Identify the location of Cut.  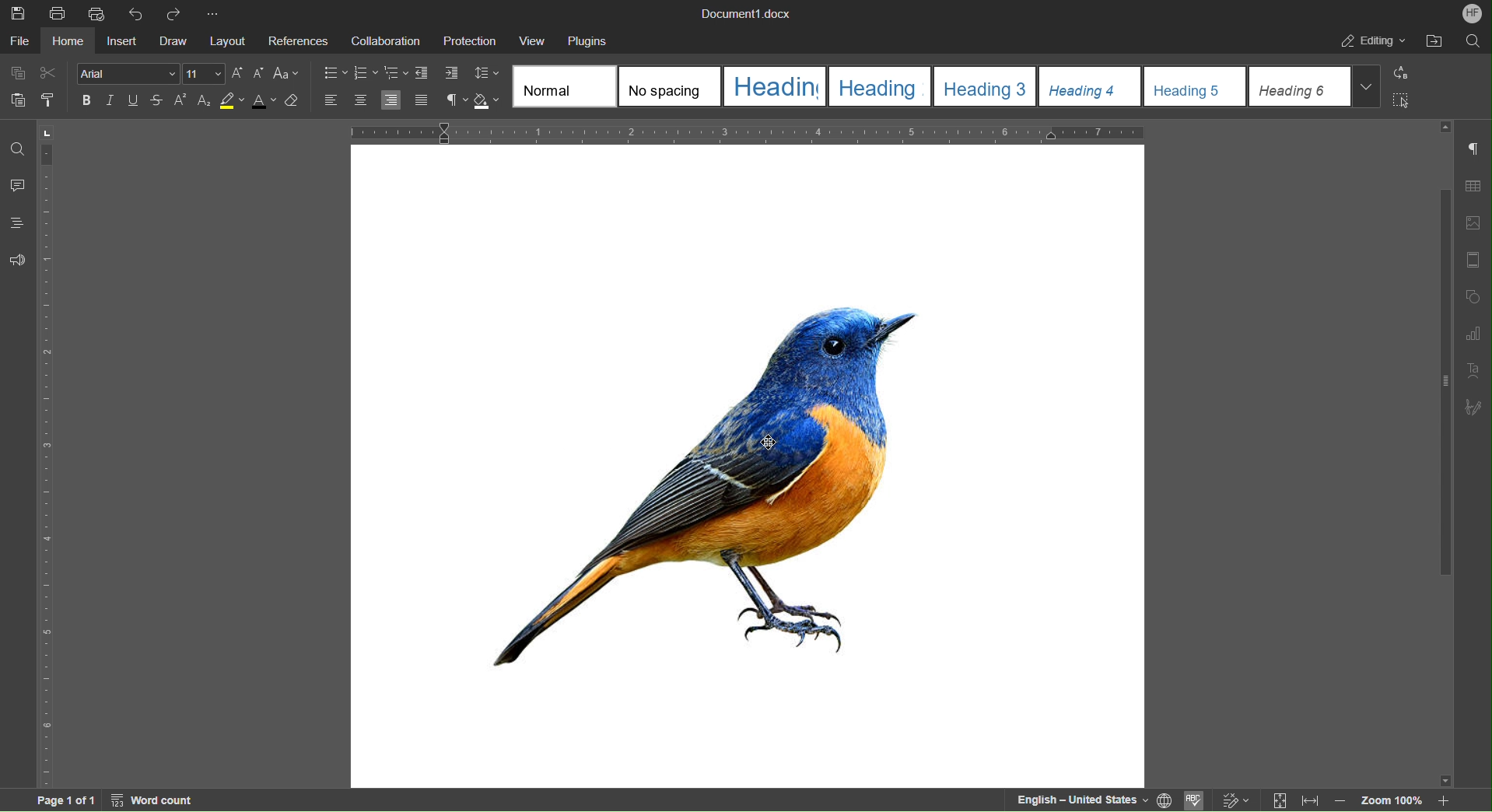
(49, 73).